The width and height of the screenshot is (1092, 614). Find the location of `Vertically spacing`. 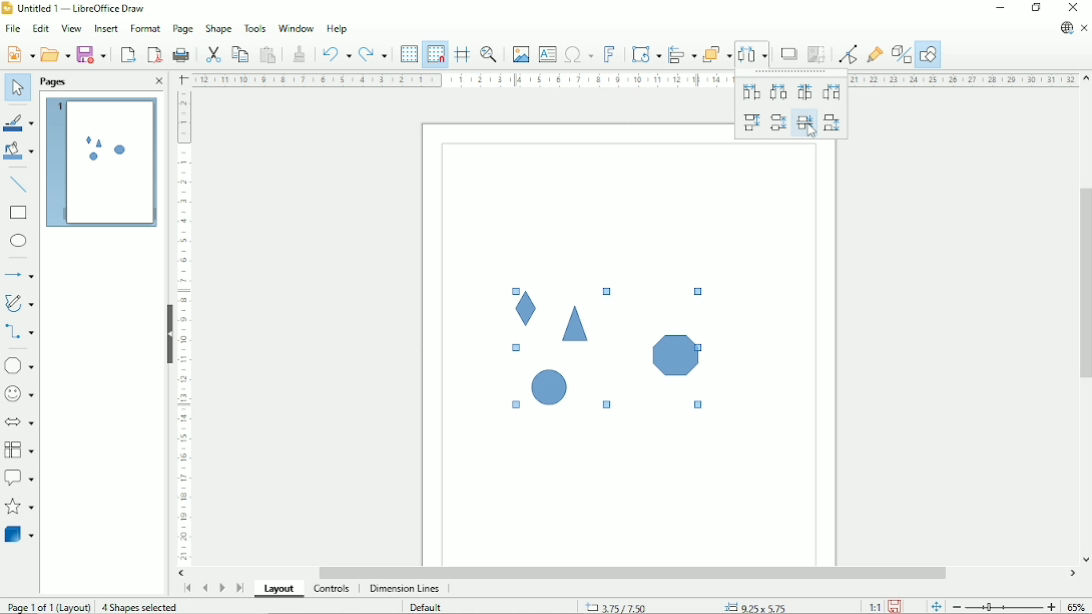

Vertically spacing is located at coordinates (805, 125).